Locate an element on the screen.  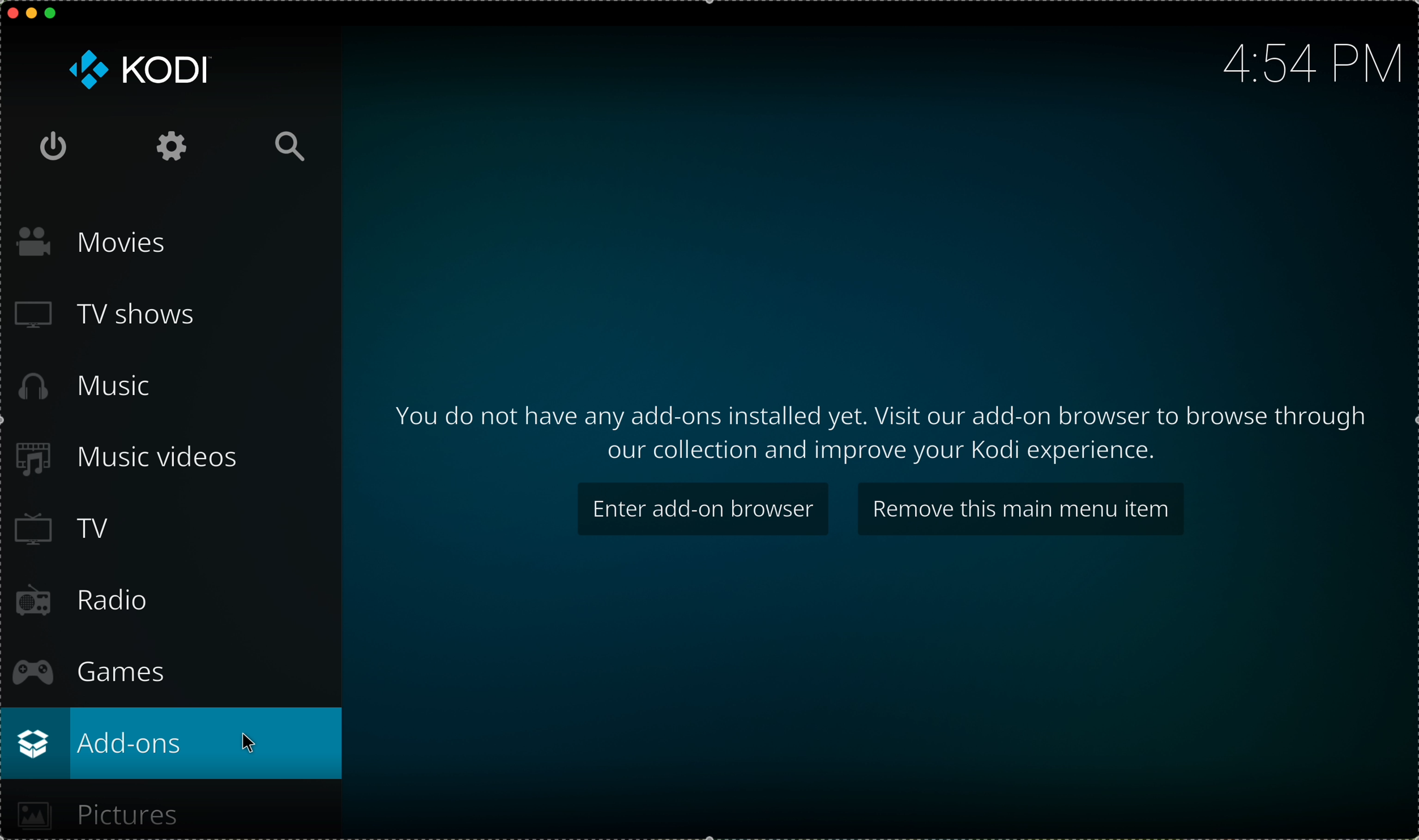
hour is located at coordinates (1310, 61).